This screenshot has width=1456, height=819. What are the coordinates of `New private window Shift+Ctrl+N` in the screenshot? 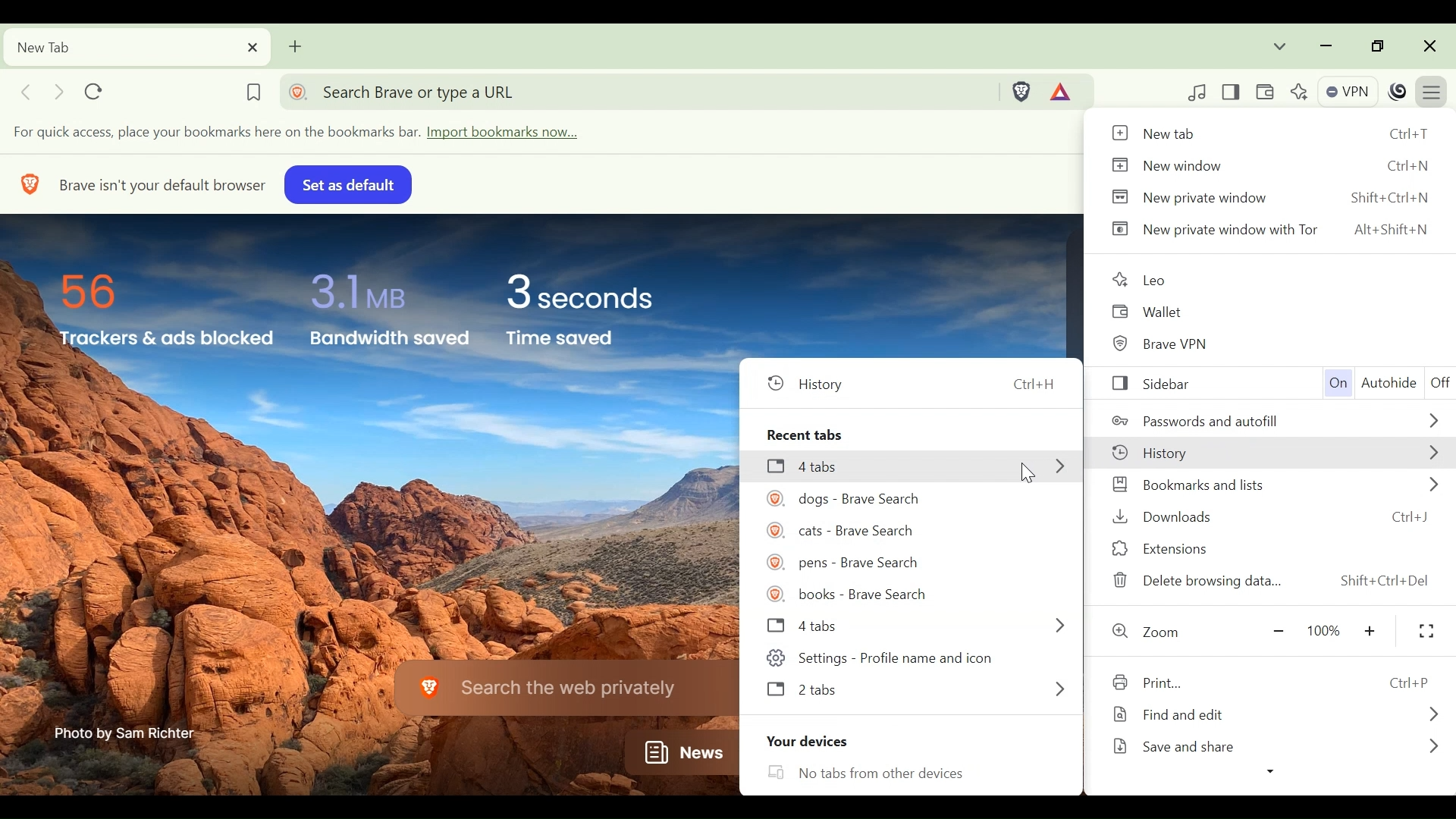 It's located at (1272, 196).